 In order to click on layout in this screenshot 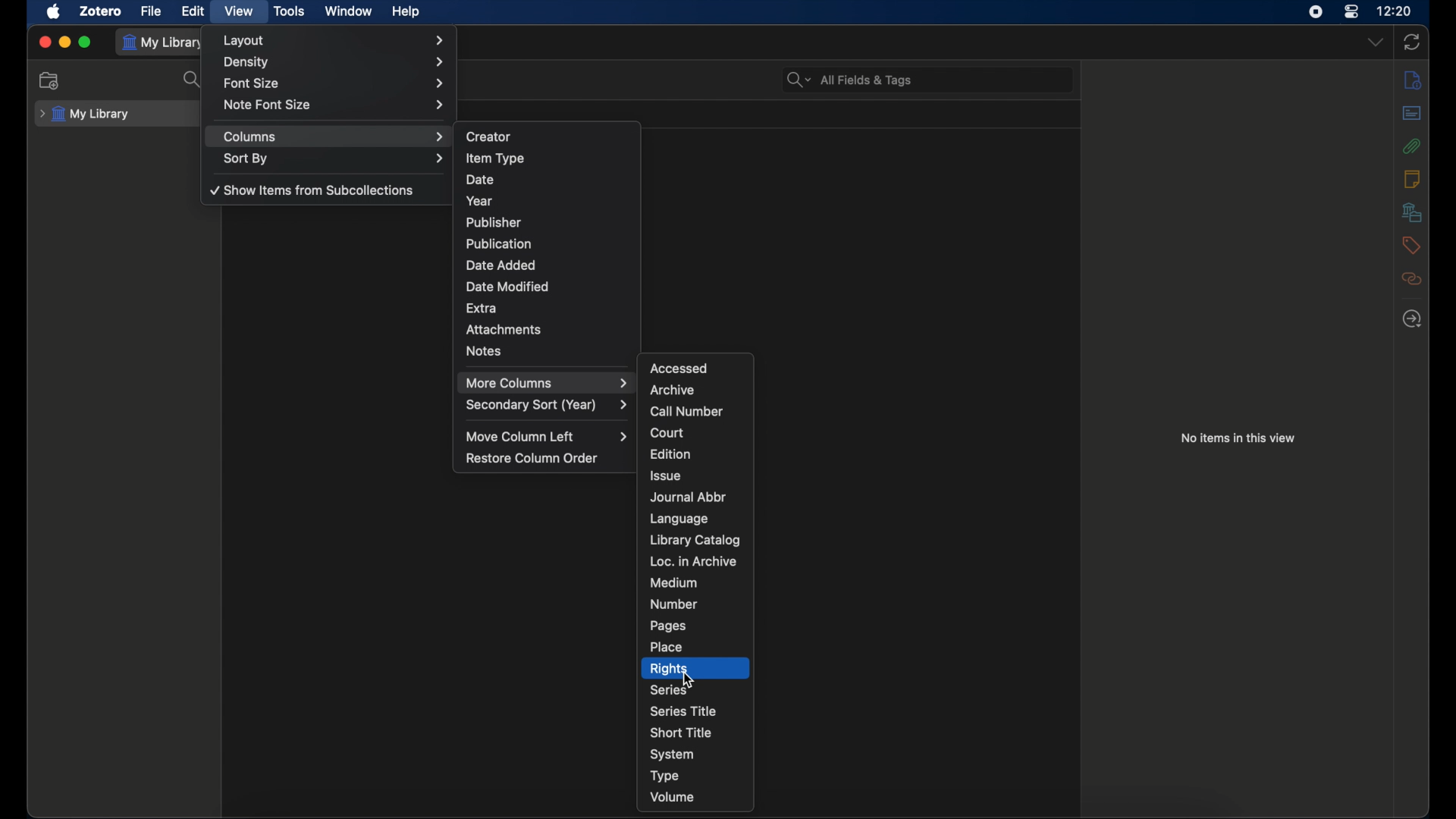, I will do `click(334, 40)`.